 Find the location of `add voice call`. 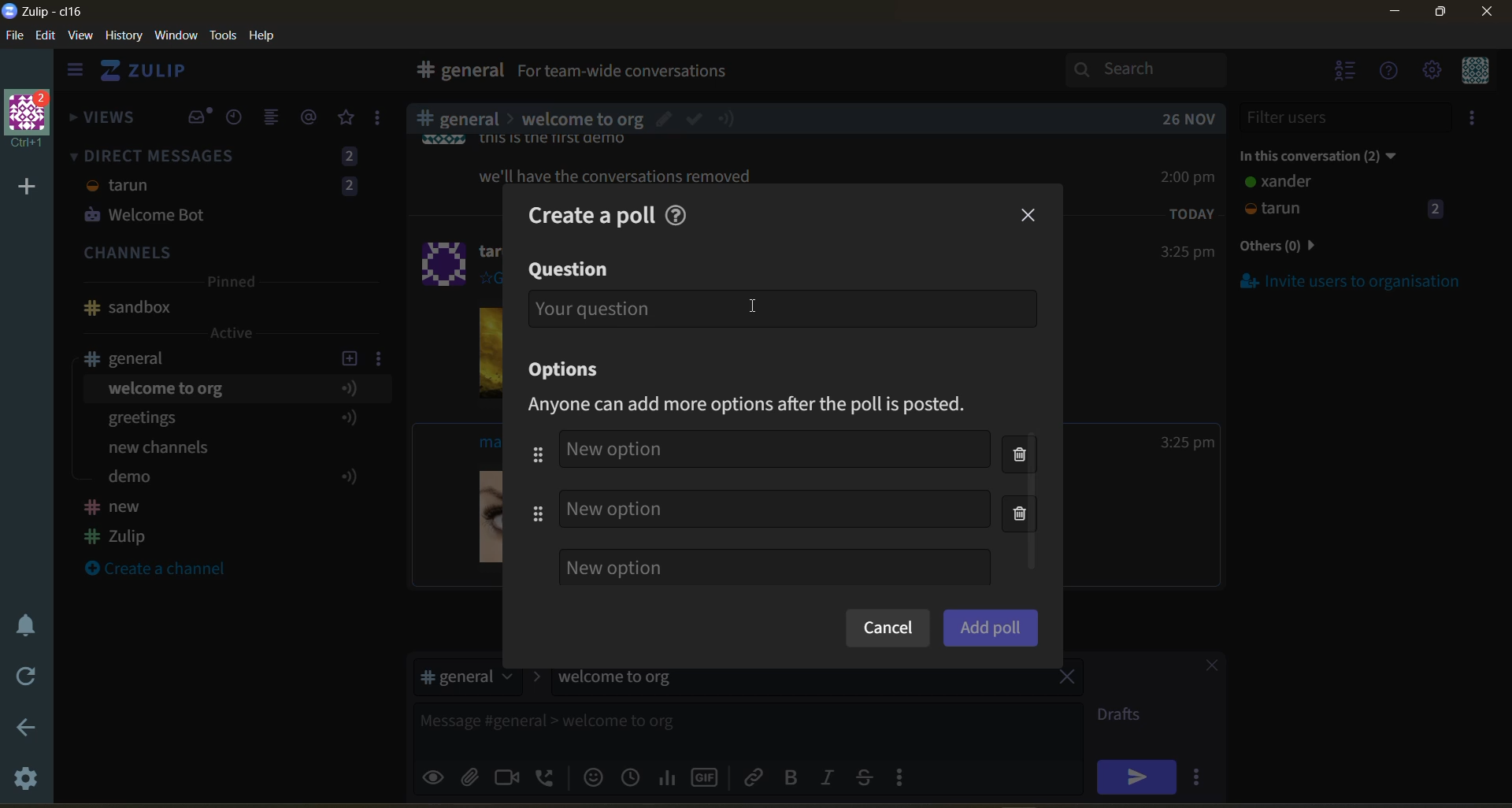

add voice call is located at coordinates (547, 776).